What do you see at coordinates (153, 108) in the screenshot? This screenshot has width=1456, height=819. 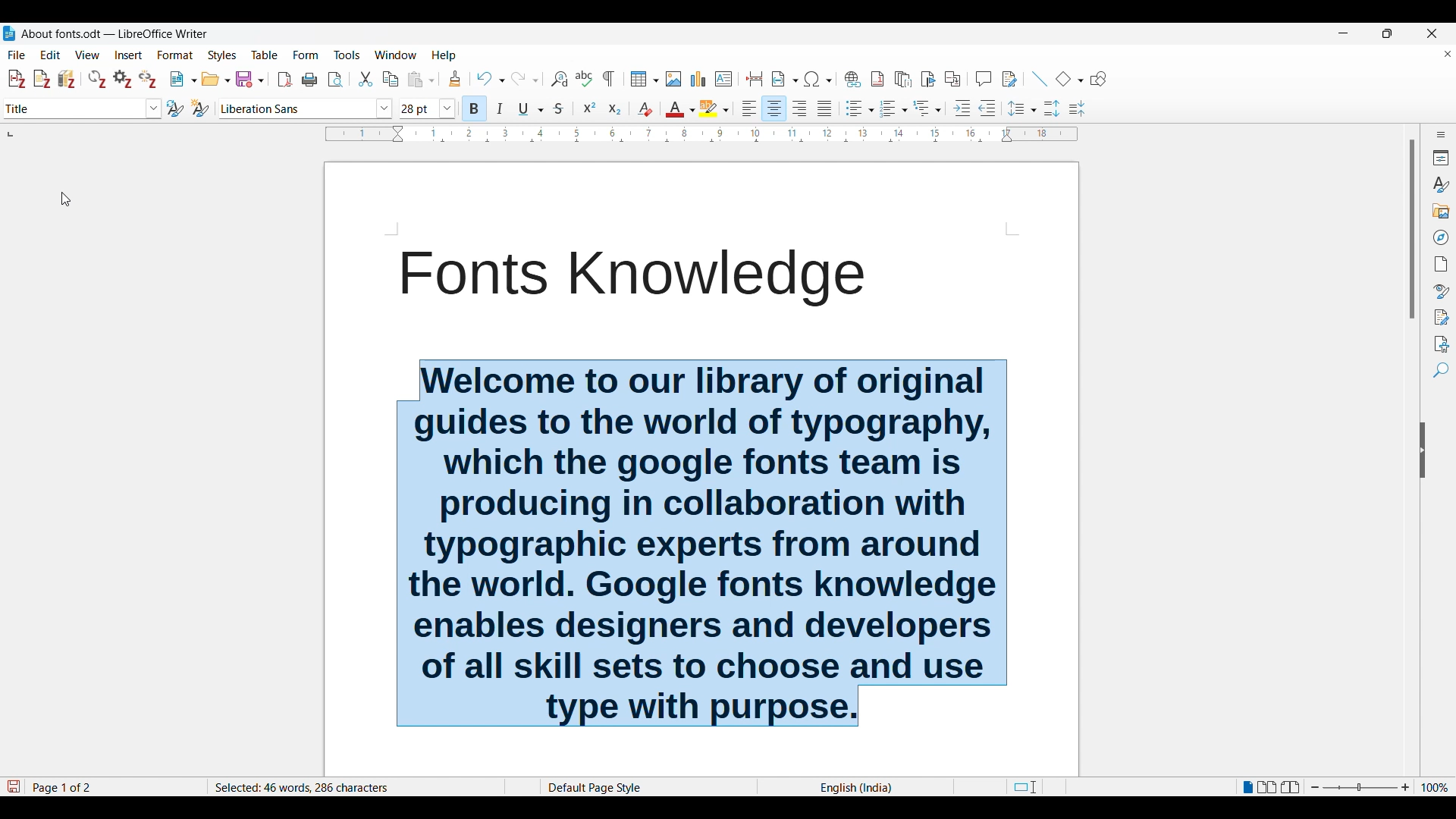 I see `Highlighted by cursor` at bounding box center [153, 108].